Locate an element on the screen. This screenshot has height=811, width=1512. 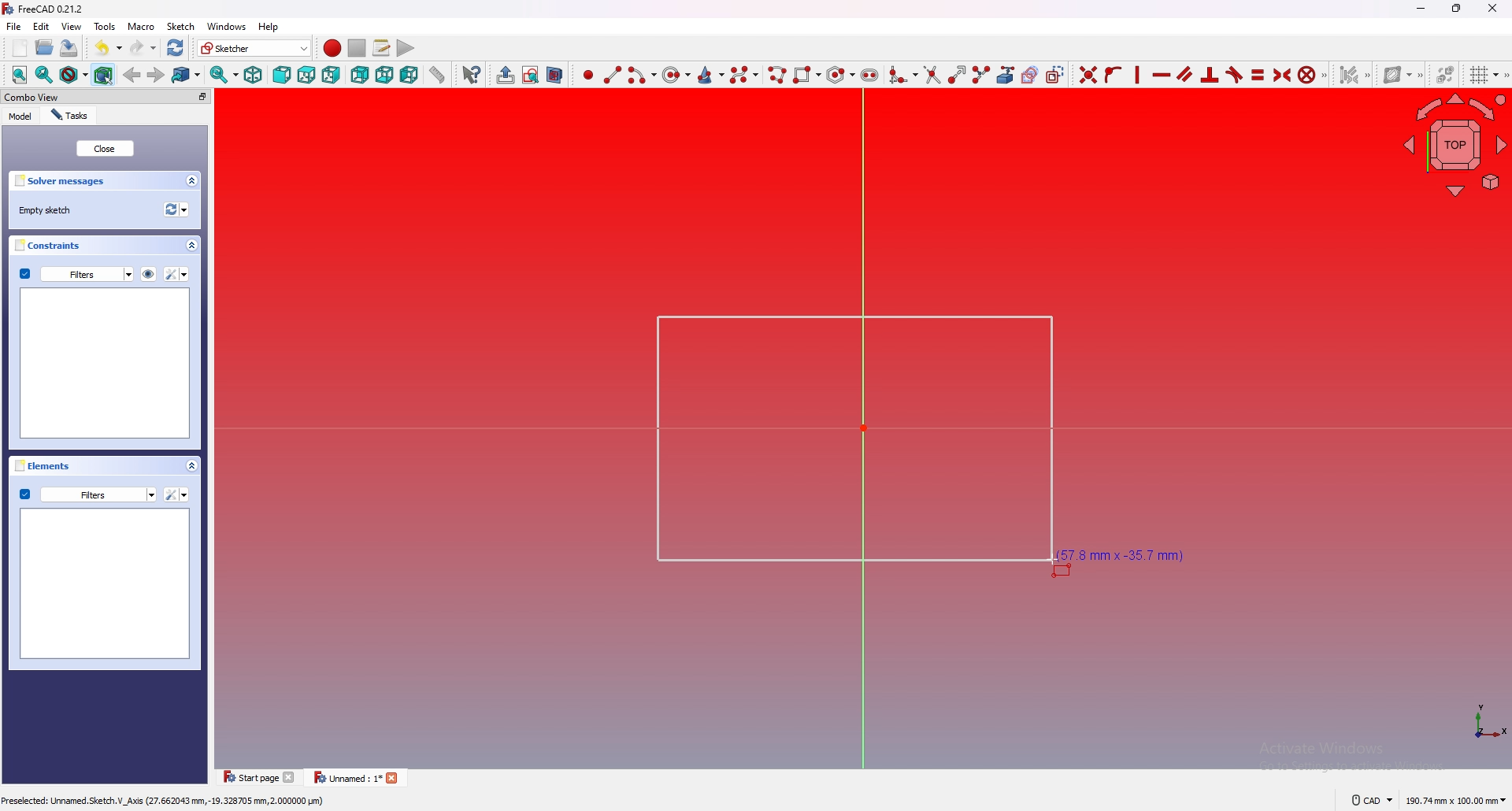
model is located at coordinates (21, 117).